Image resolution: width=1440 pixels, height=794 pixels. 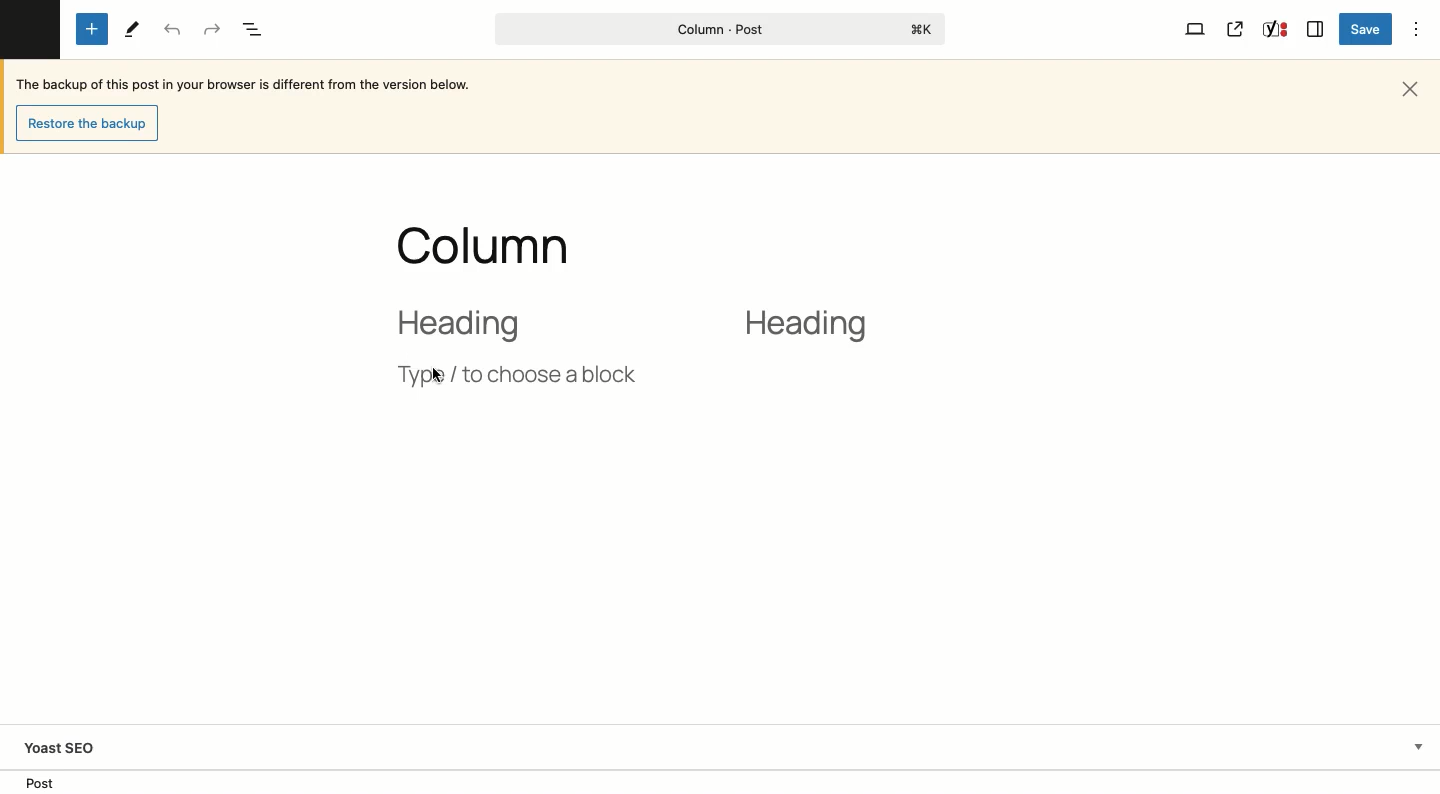 I want to click on View post, so click(x=1236, y=29).